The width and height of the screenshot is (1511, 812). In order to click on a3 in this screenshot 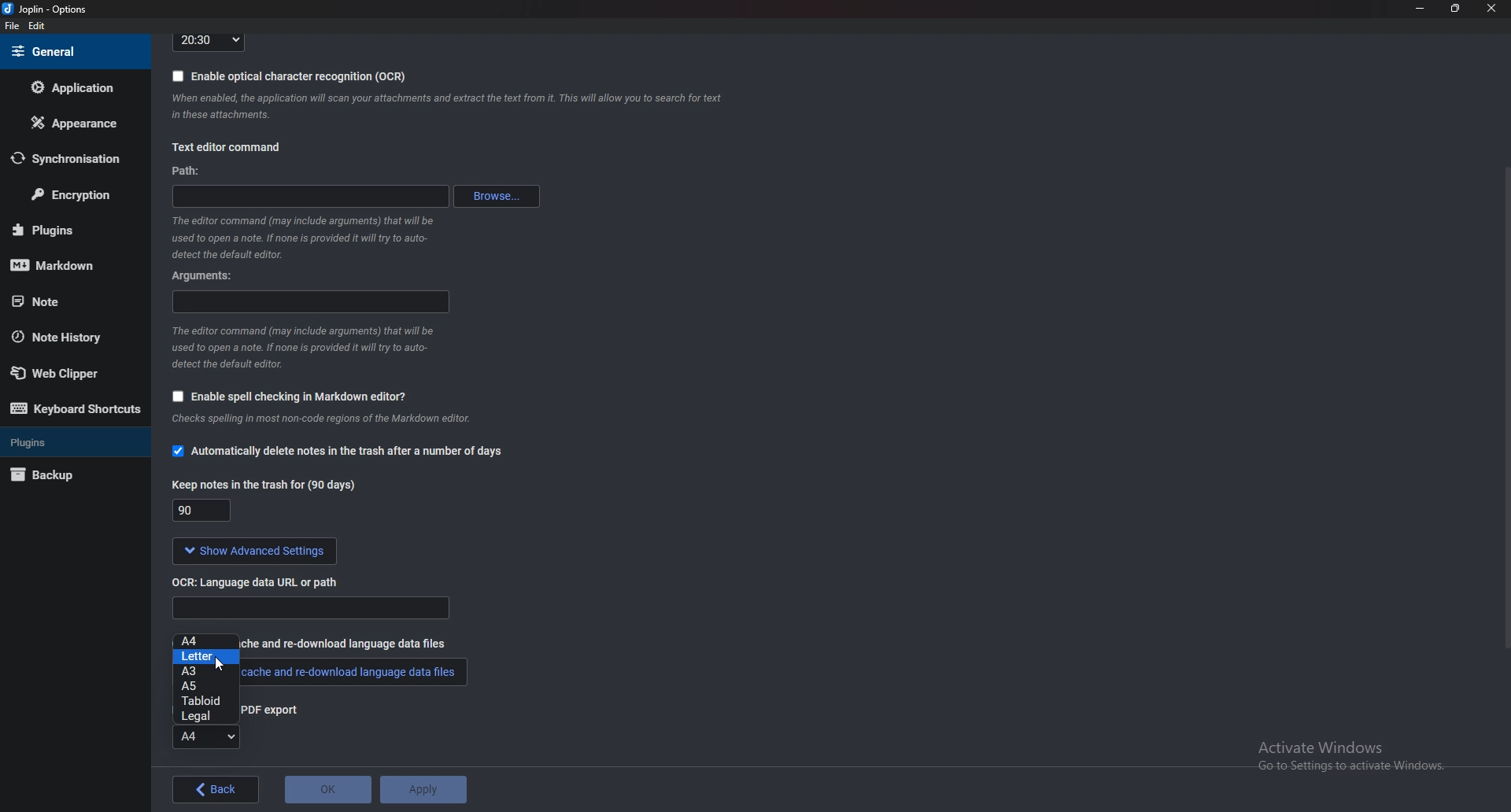, I will do `click(204, 671)`.